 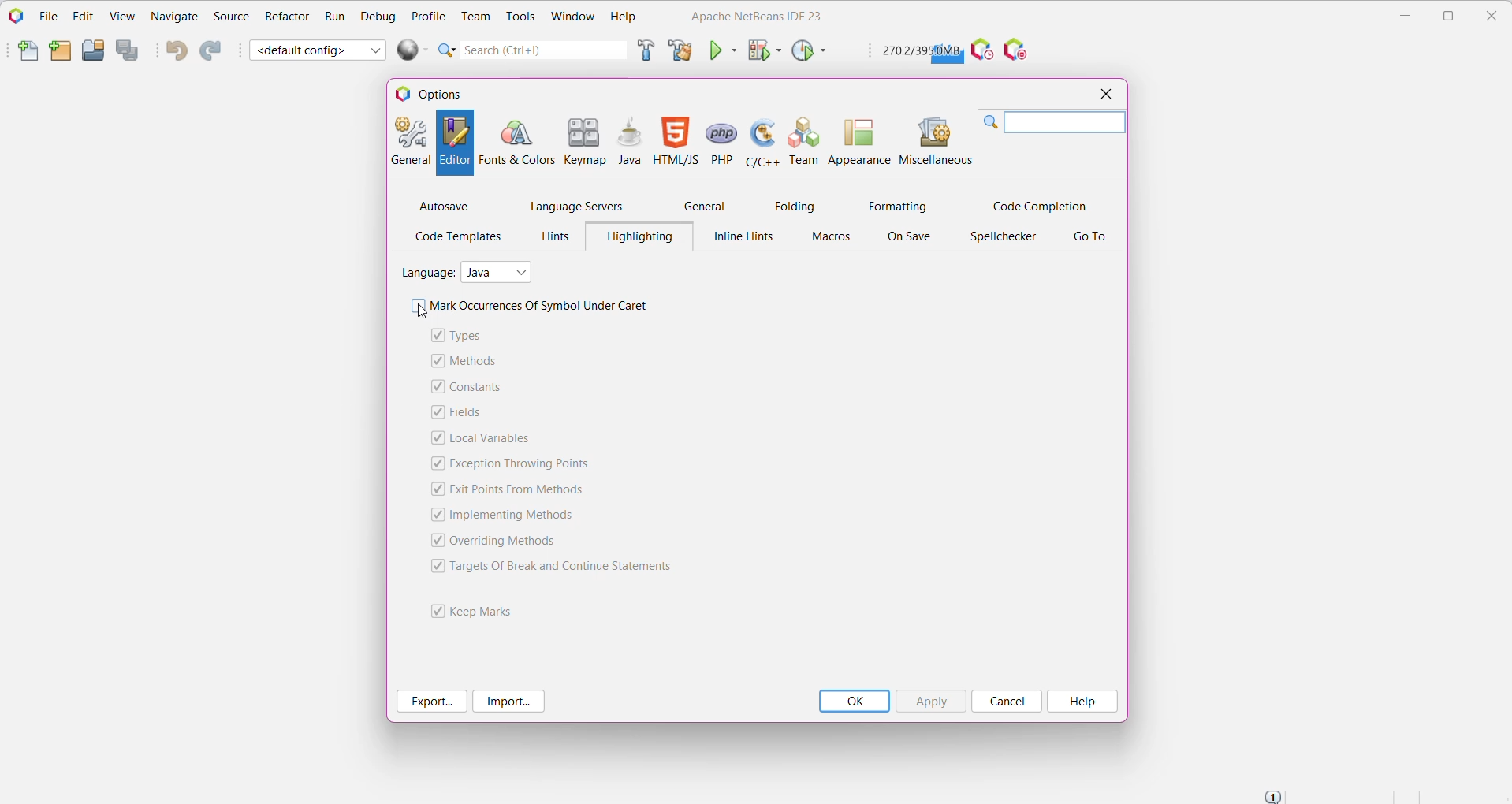 I want to click on Overriding Methods - click to enable, so click(x=509, y=542).